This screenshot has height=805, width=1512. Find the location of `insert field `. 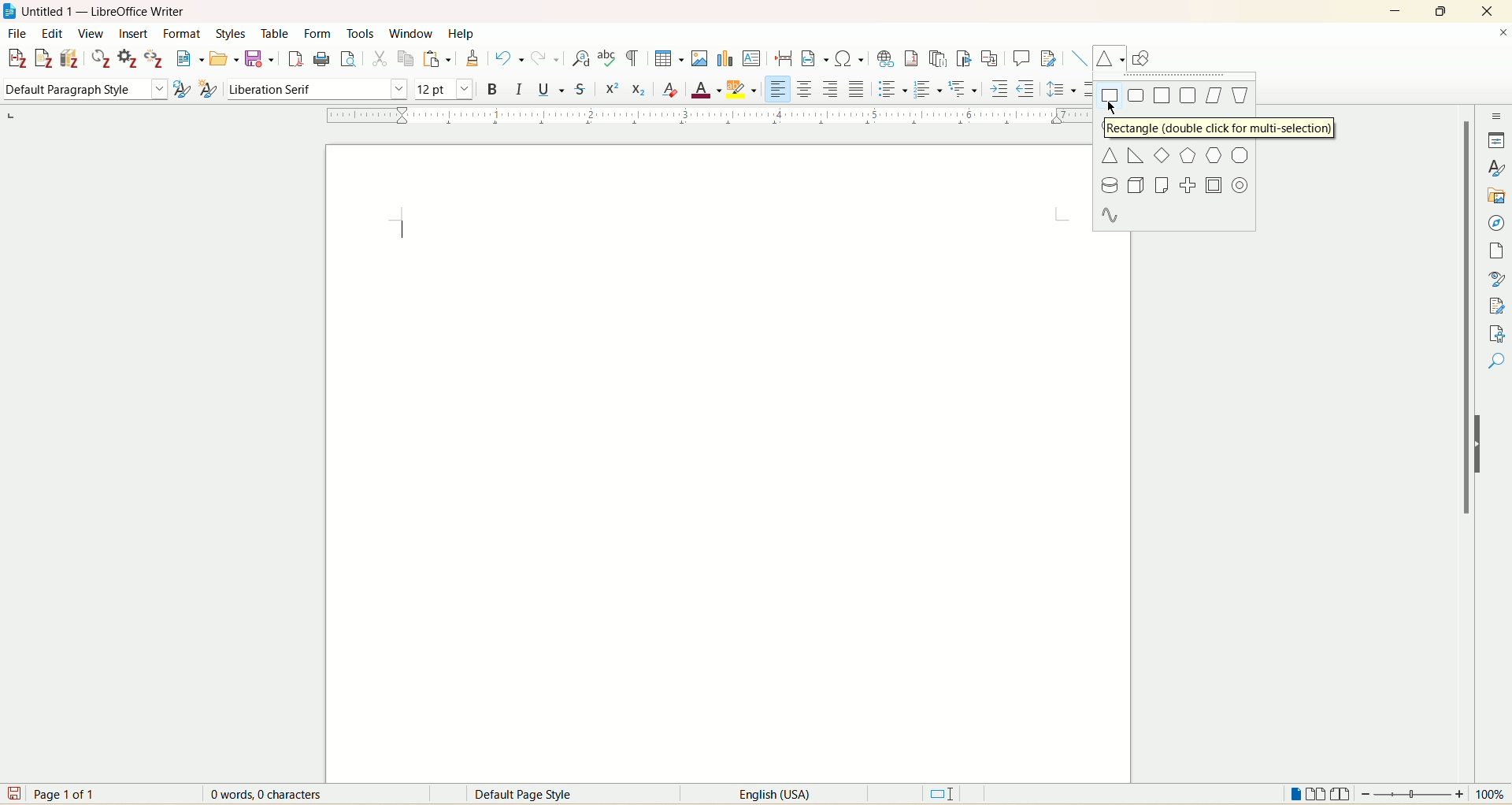

insert field  is located at coordinates (813, 58).